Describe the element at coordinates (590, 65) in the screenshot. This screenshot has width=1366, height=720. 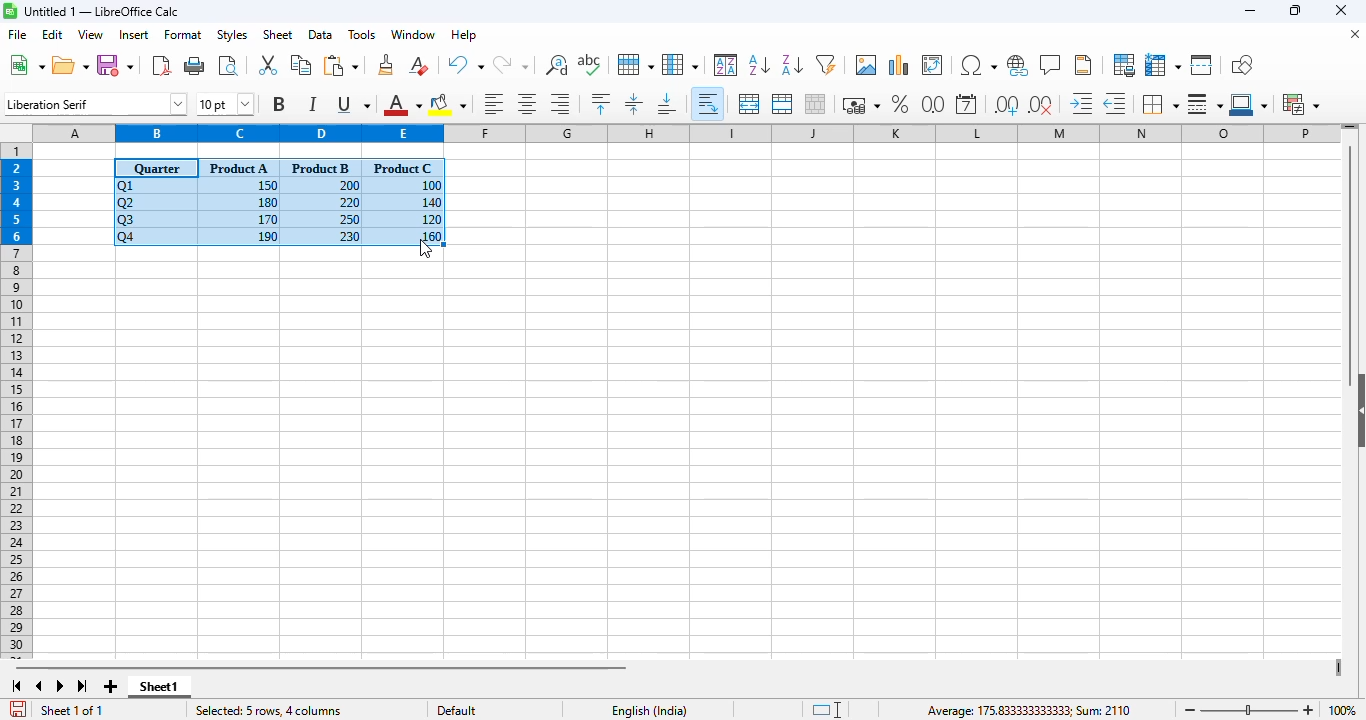
I see `spelling` at that location.